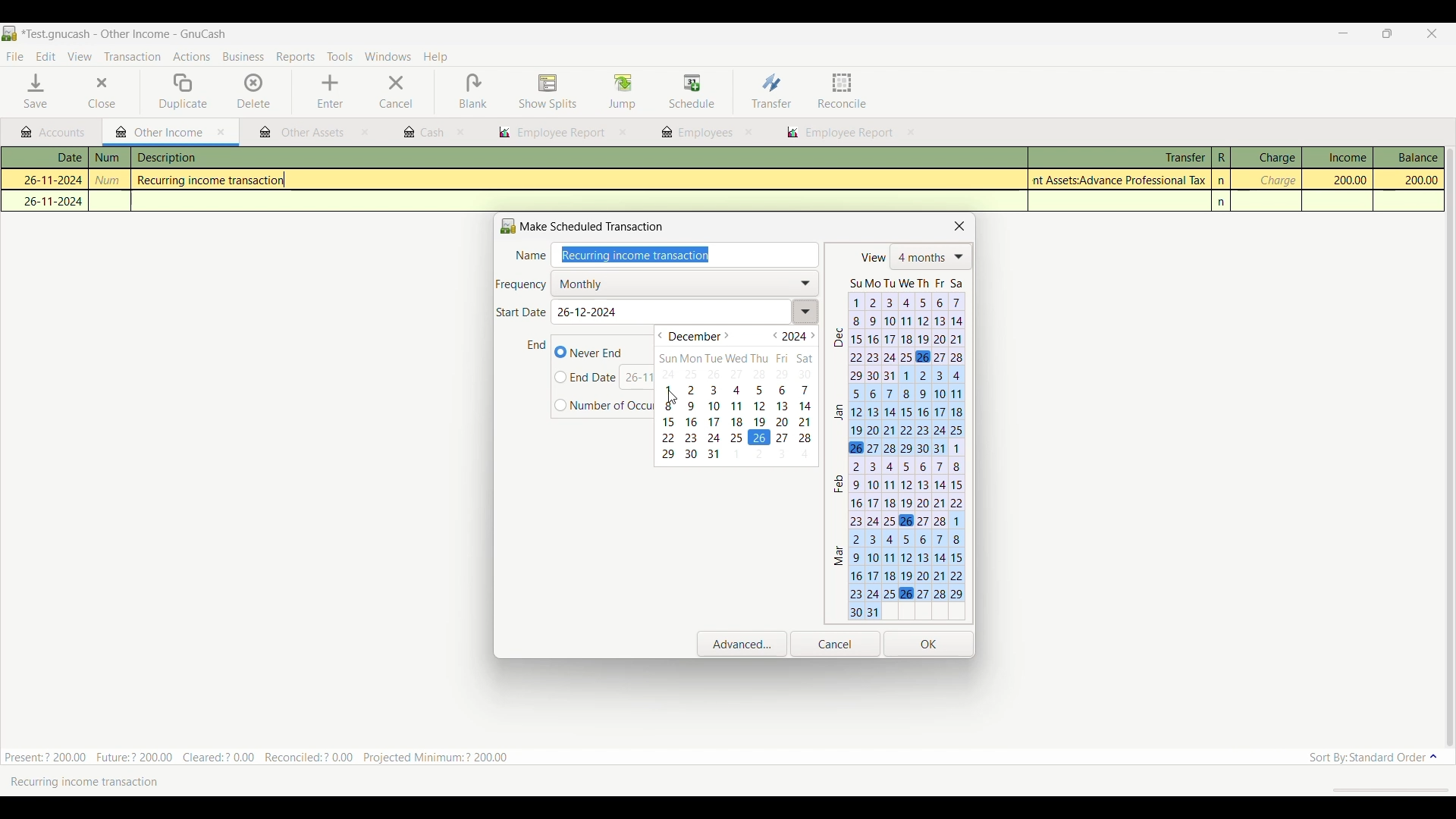 Image resolution: width=1456 pixels, height=819 pixels. I want to click on Actions menu, so click(191, 58).